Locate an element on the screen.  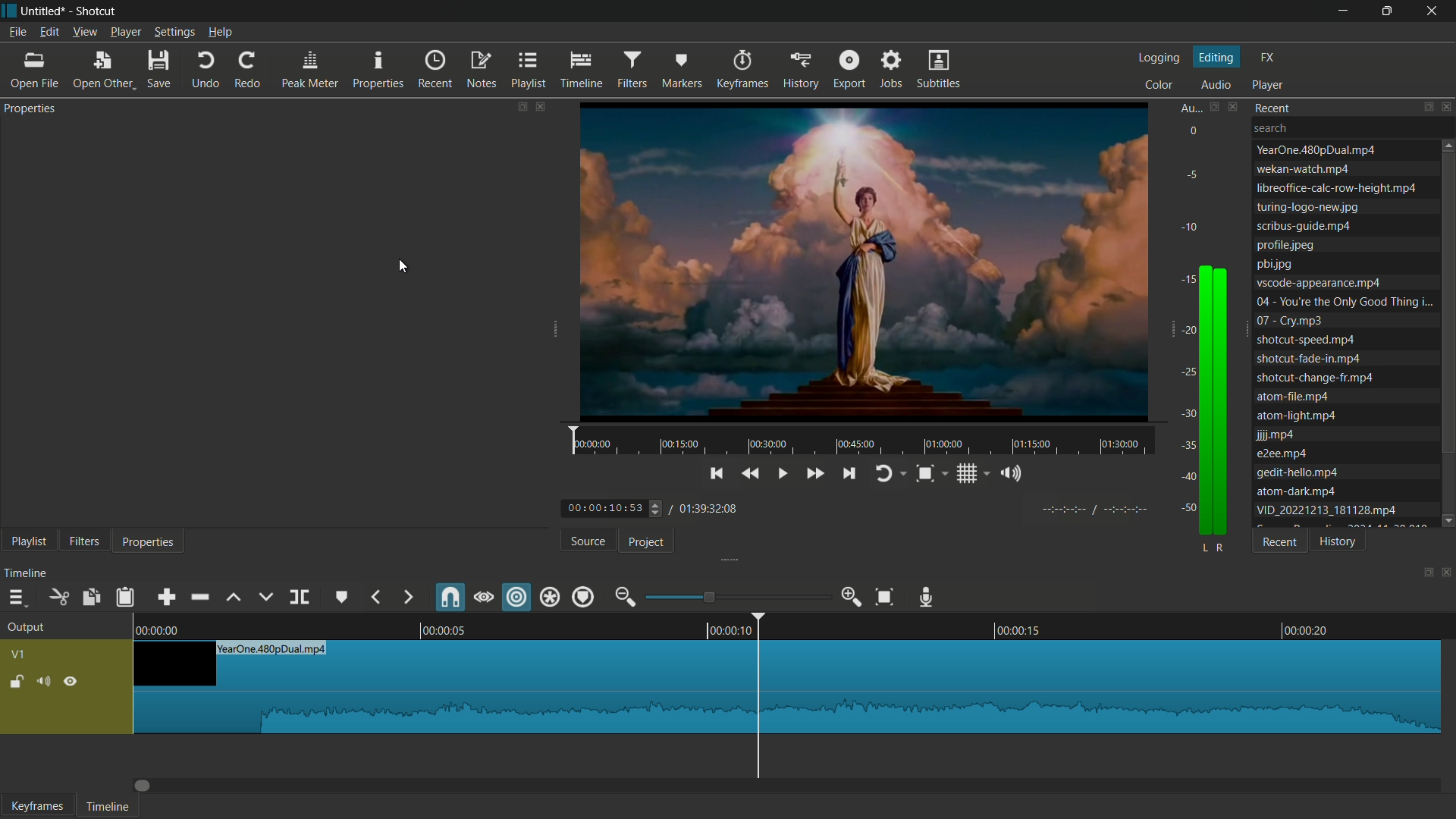
save is located at coordinates (159, 71).